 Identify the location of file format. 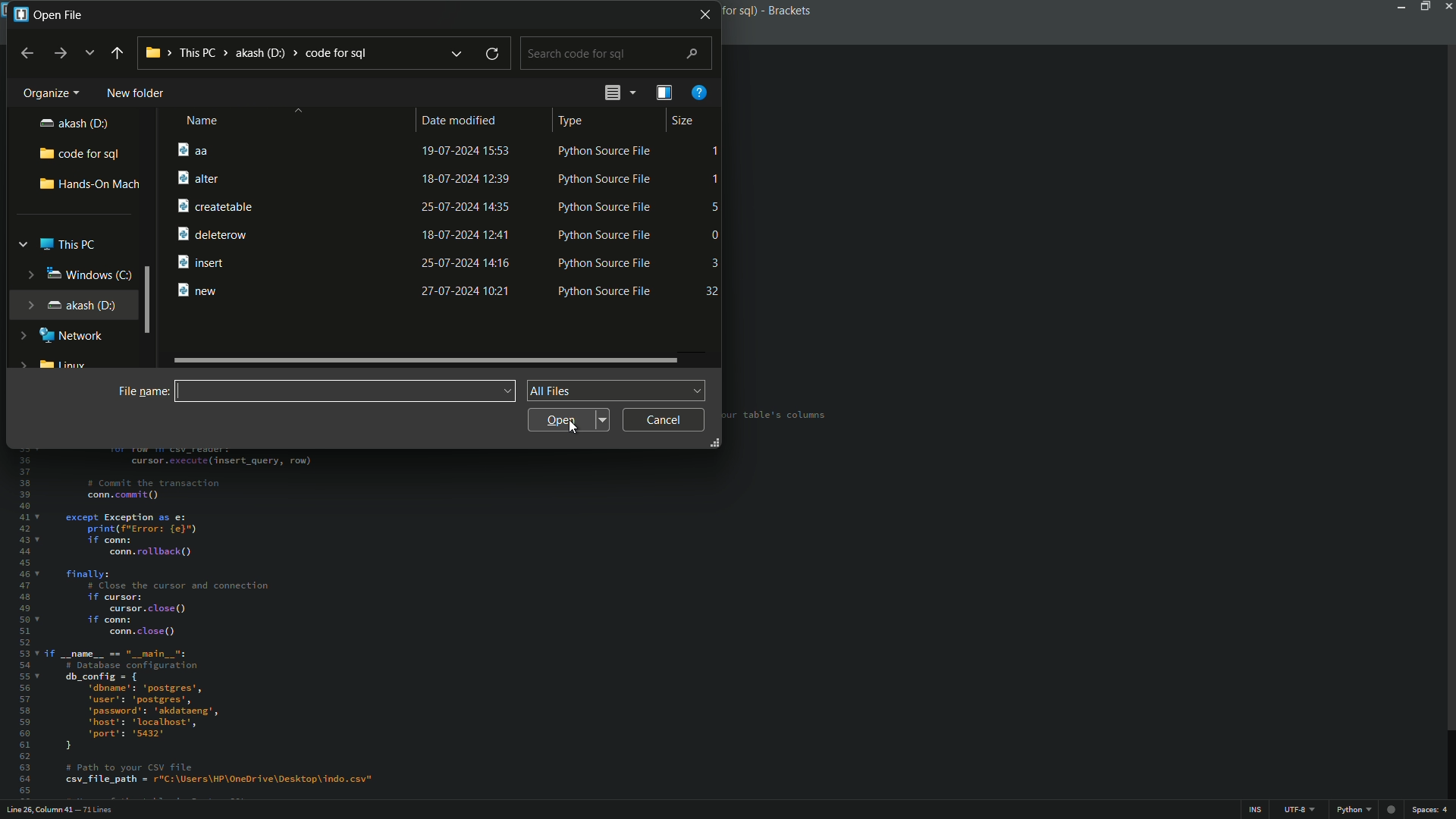
(1354, 811).